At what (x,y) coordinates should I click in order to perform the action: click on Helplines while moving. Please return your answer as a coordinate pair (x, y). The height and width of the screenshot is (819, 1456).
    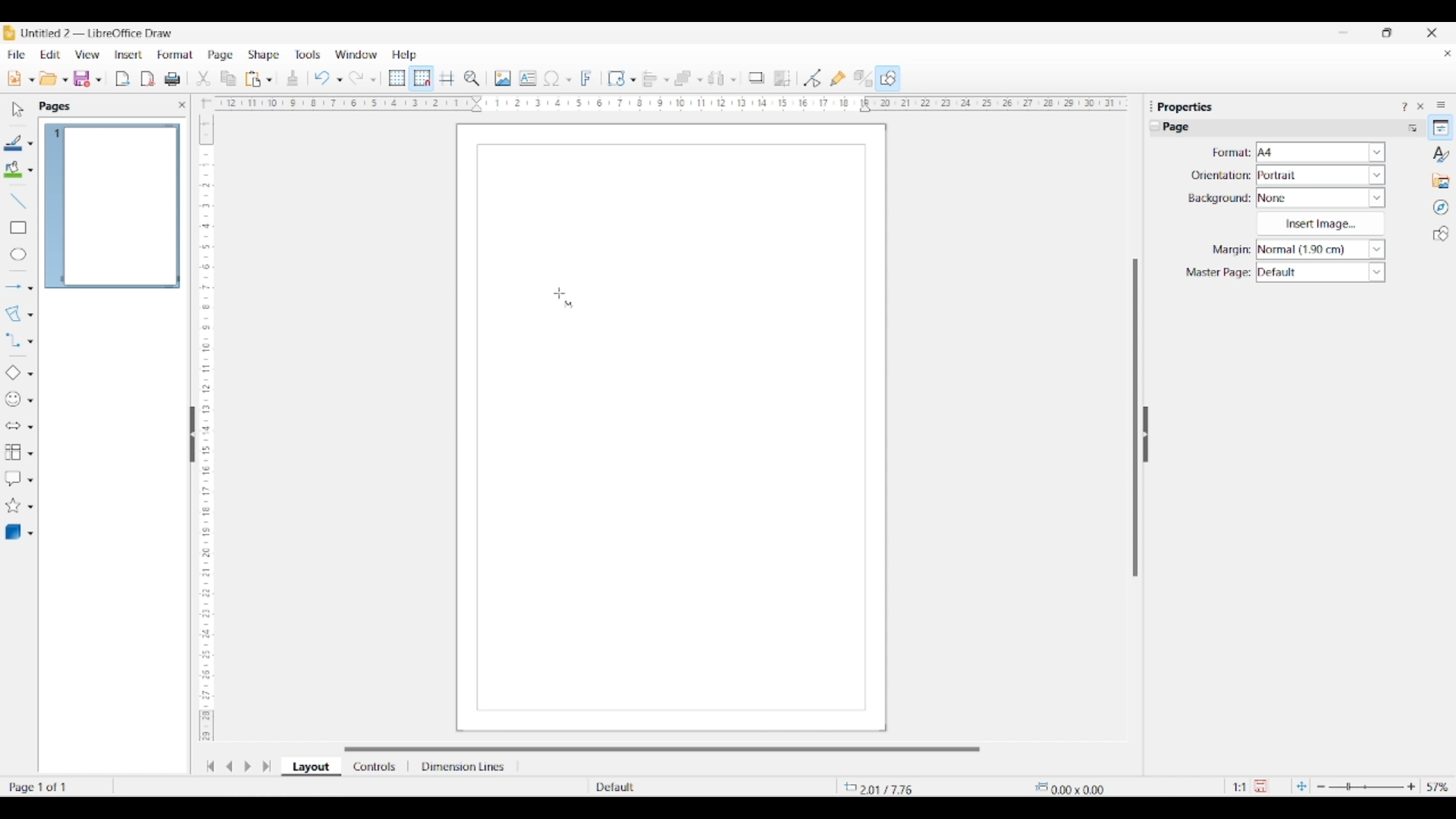
    Looking at the image, I should click on (447, 77).